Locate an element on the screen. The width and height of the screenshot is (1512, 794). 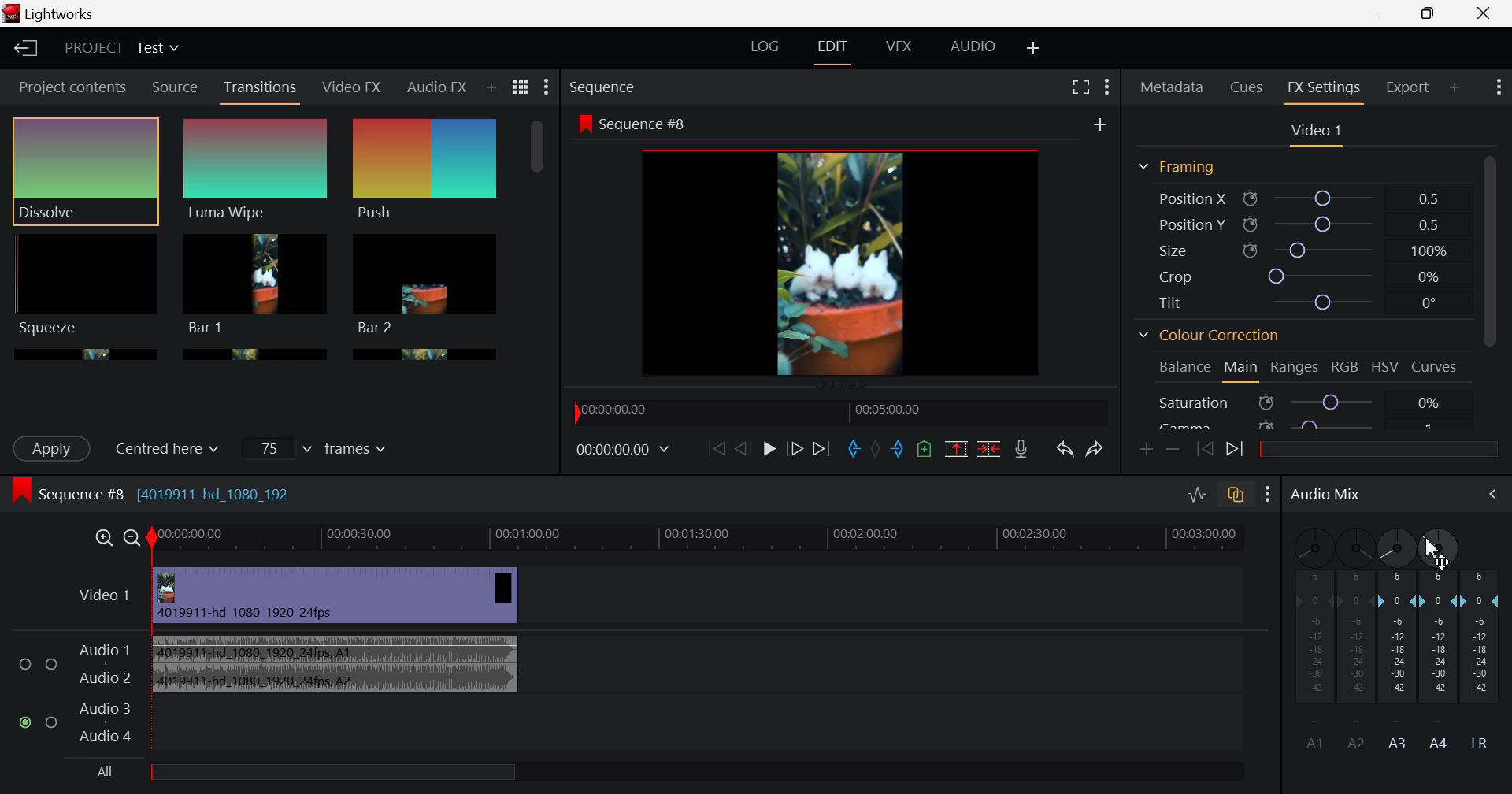
Sequence #8 (4019911-hd_1080_192) is located at coordinates (156, 493).